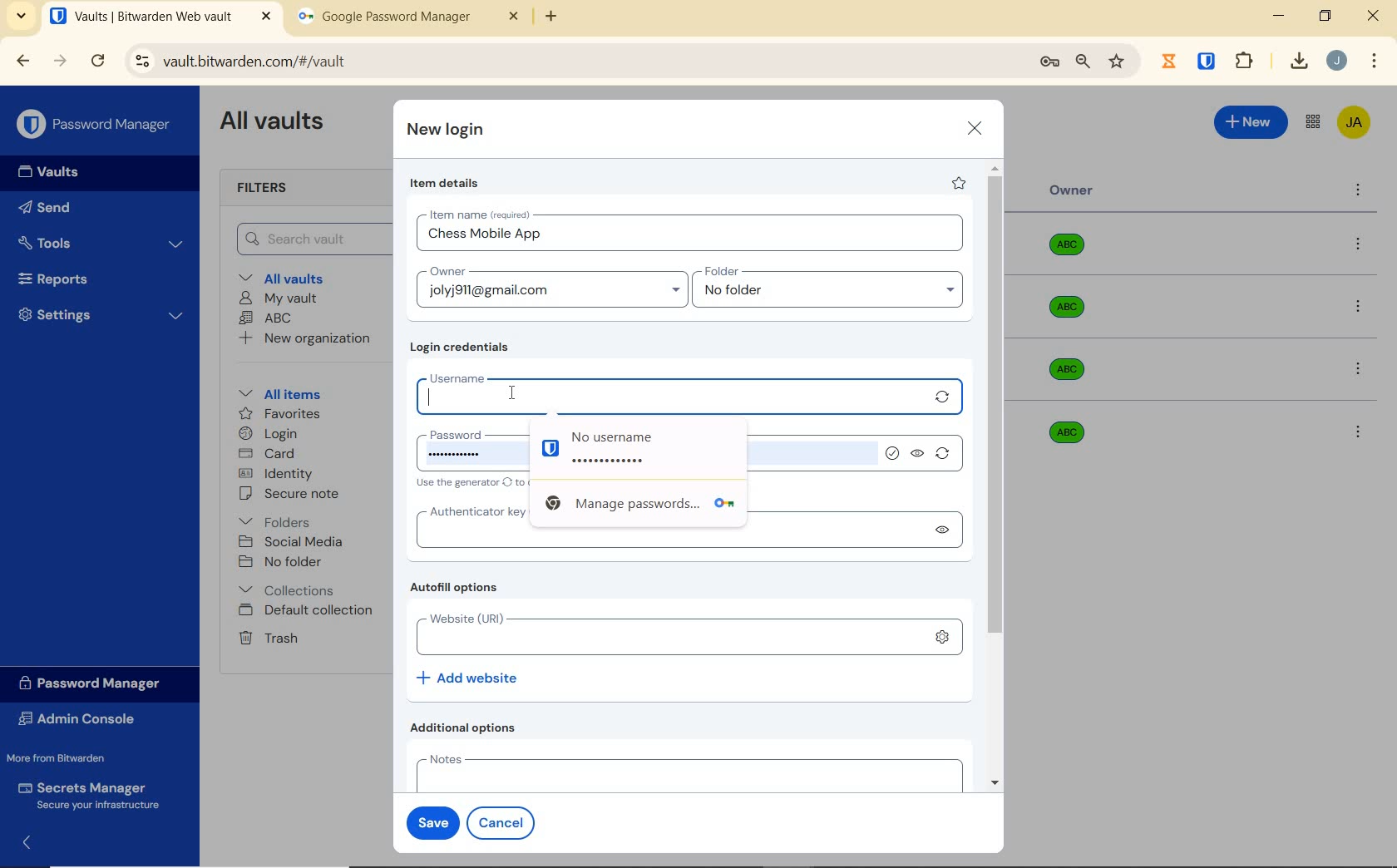  What do you see at coordinates (555, 293) in the screenshot?
I see `jolyj91@gmail.com` at bounding box center [555, 293].